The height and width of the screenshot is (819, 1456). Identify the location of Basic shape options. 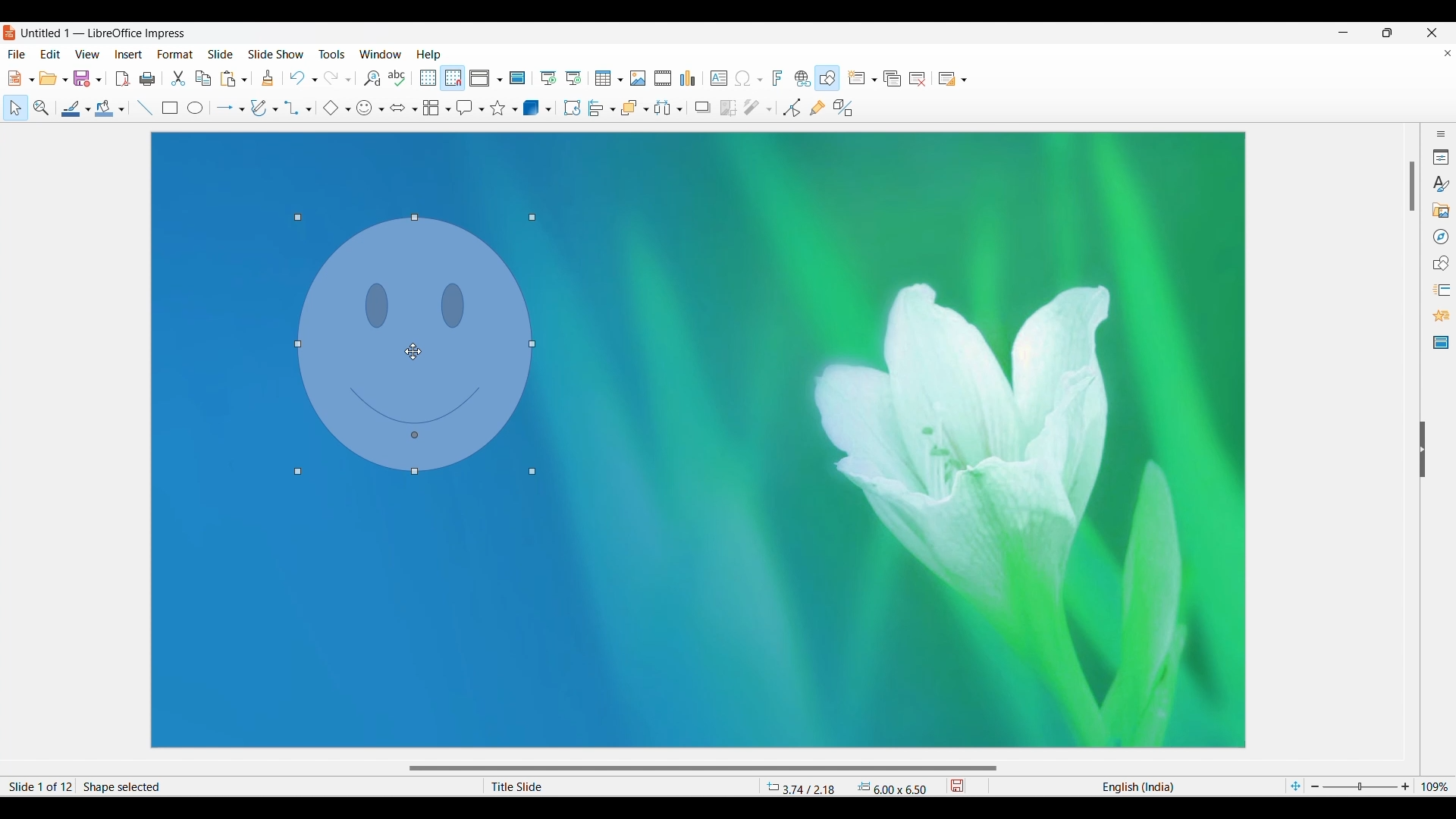
(348, 109).